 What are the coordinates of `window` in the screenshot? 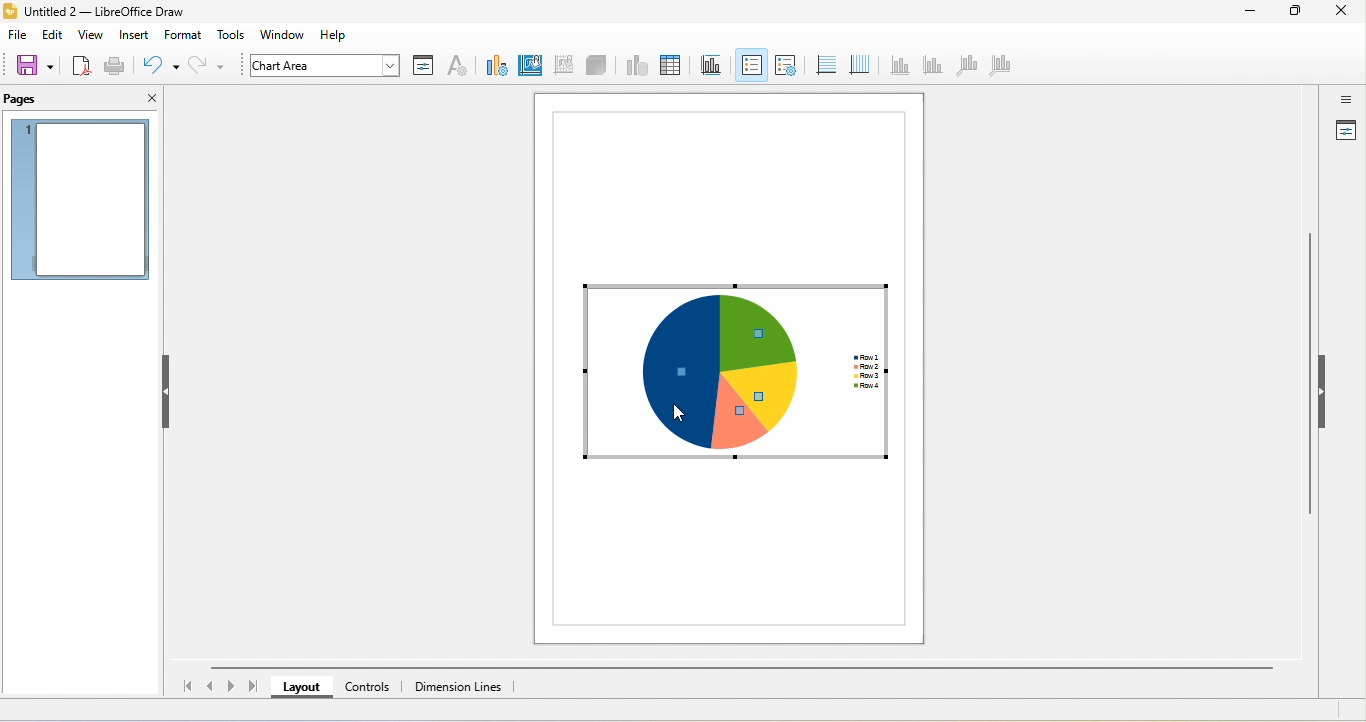 It's located at (288, 35).